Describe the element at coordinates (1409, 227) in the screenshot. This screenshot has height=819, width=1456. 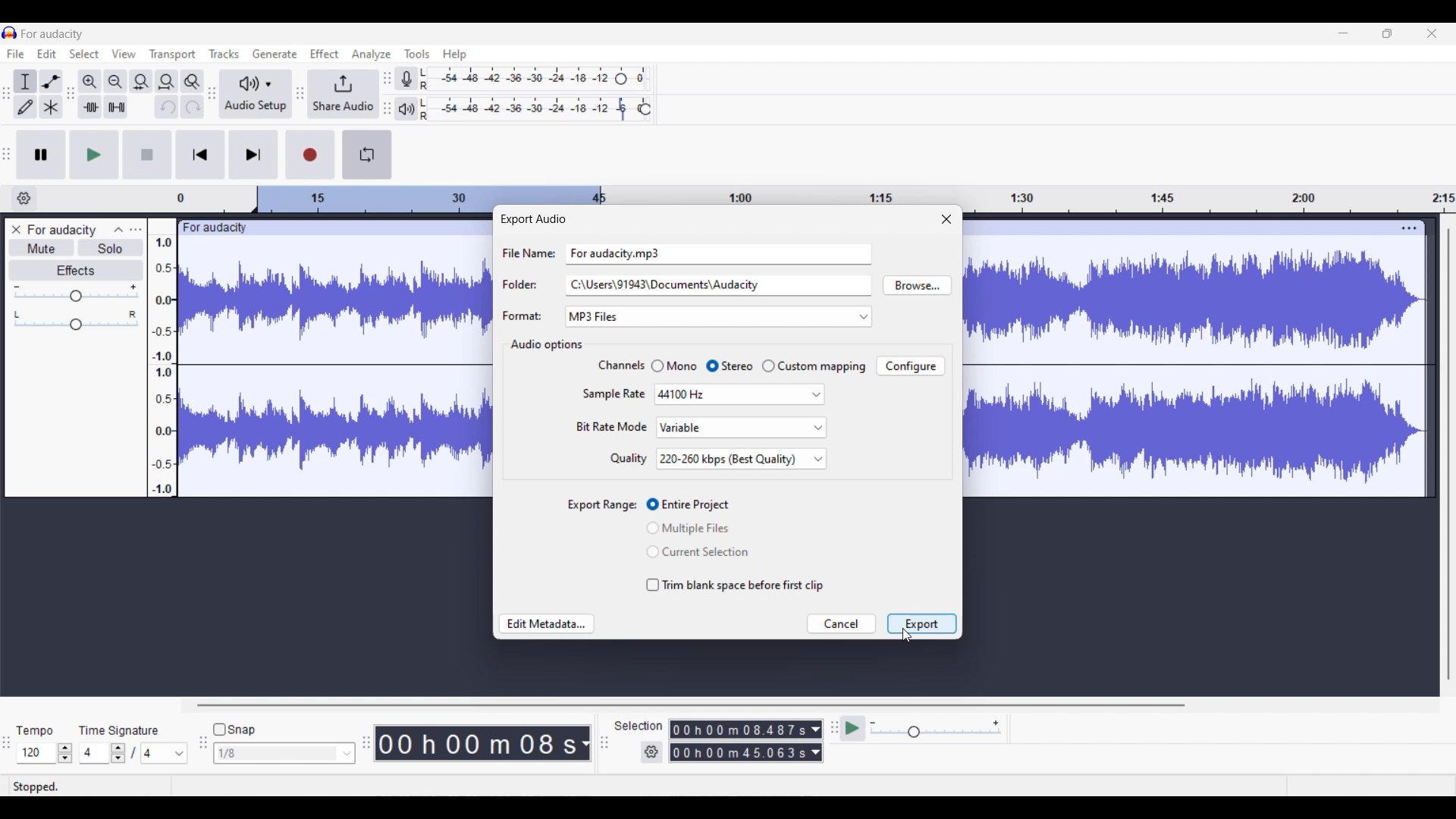
I see `Track settings` at that location.